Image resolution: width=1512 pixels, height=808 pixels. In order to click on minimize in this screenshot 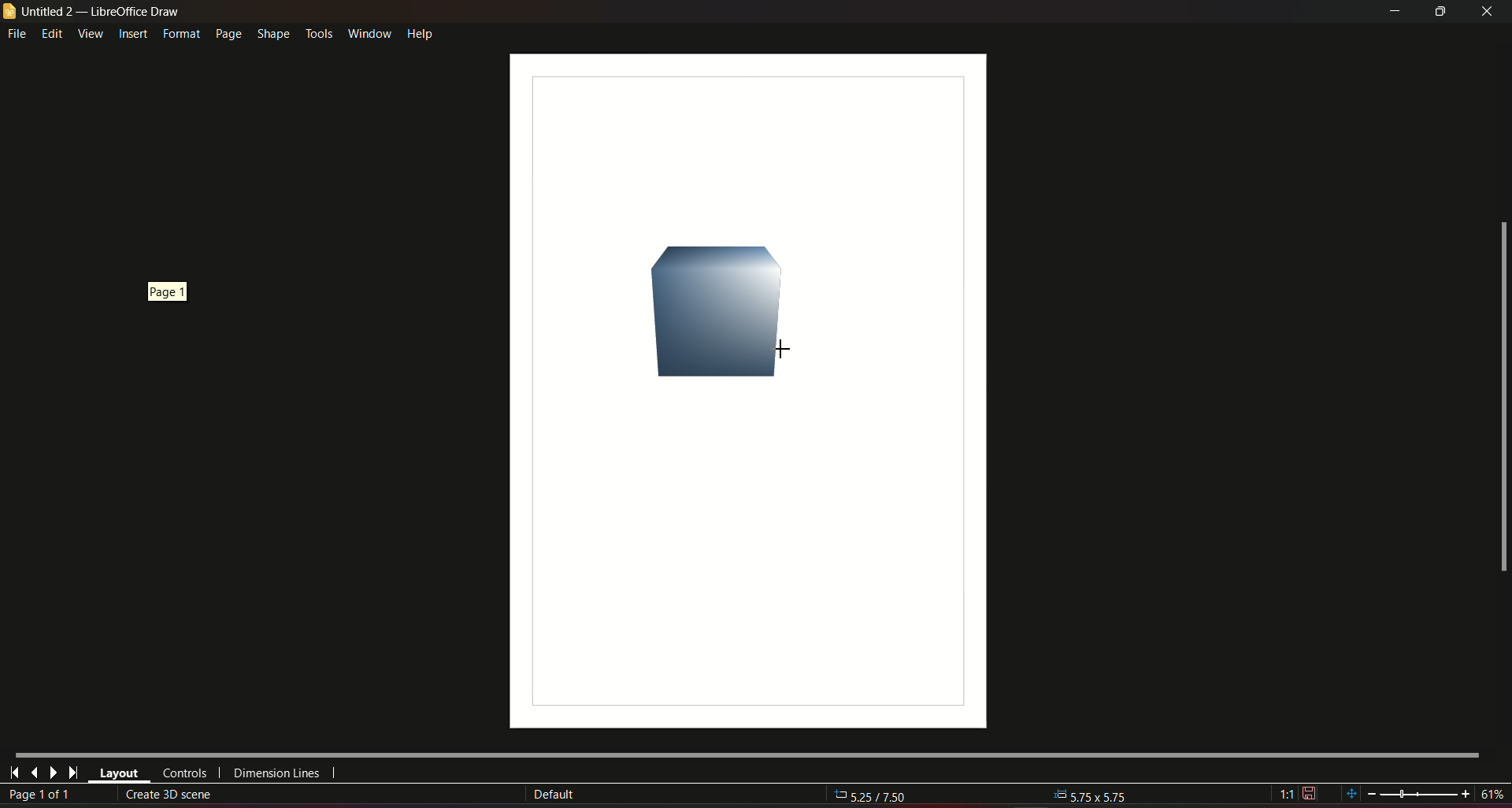, I will do `click(1392, 12)`.